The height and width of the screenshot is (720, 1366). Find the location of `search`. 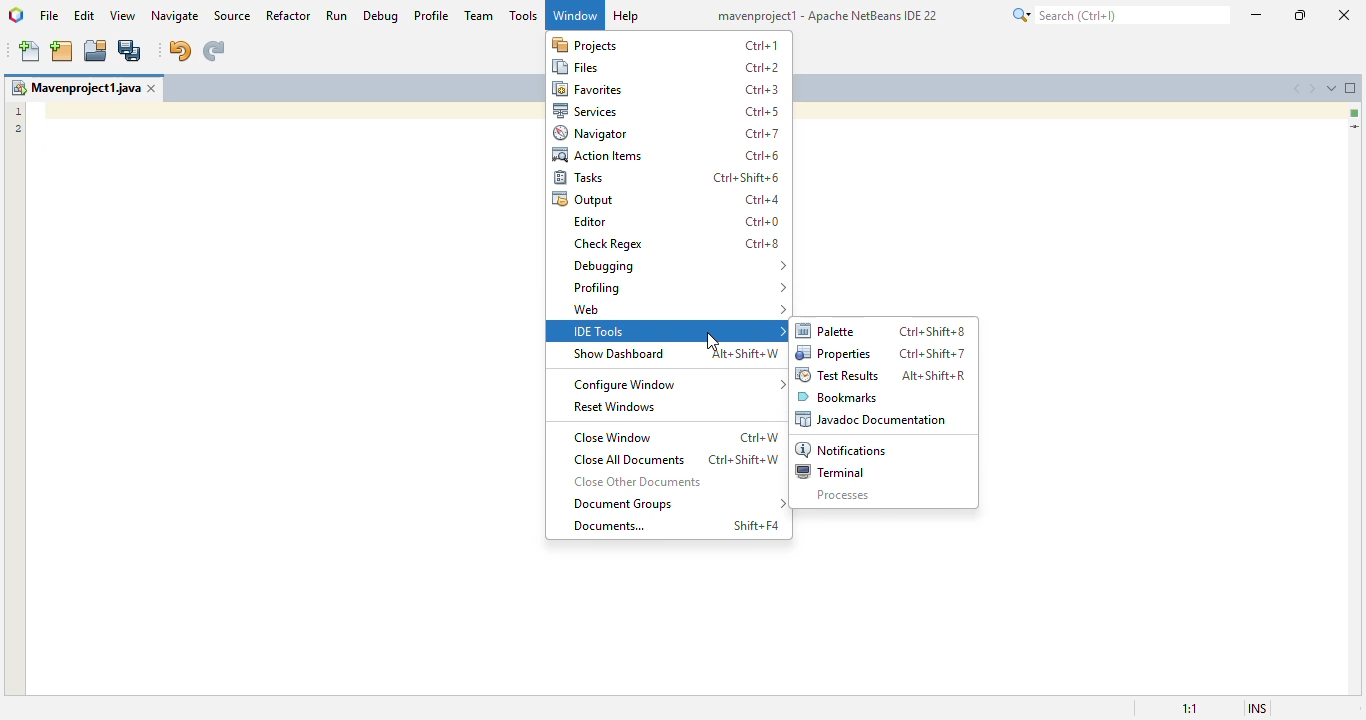

search is located at coordinates (1120, 14).